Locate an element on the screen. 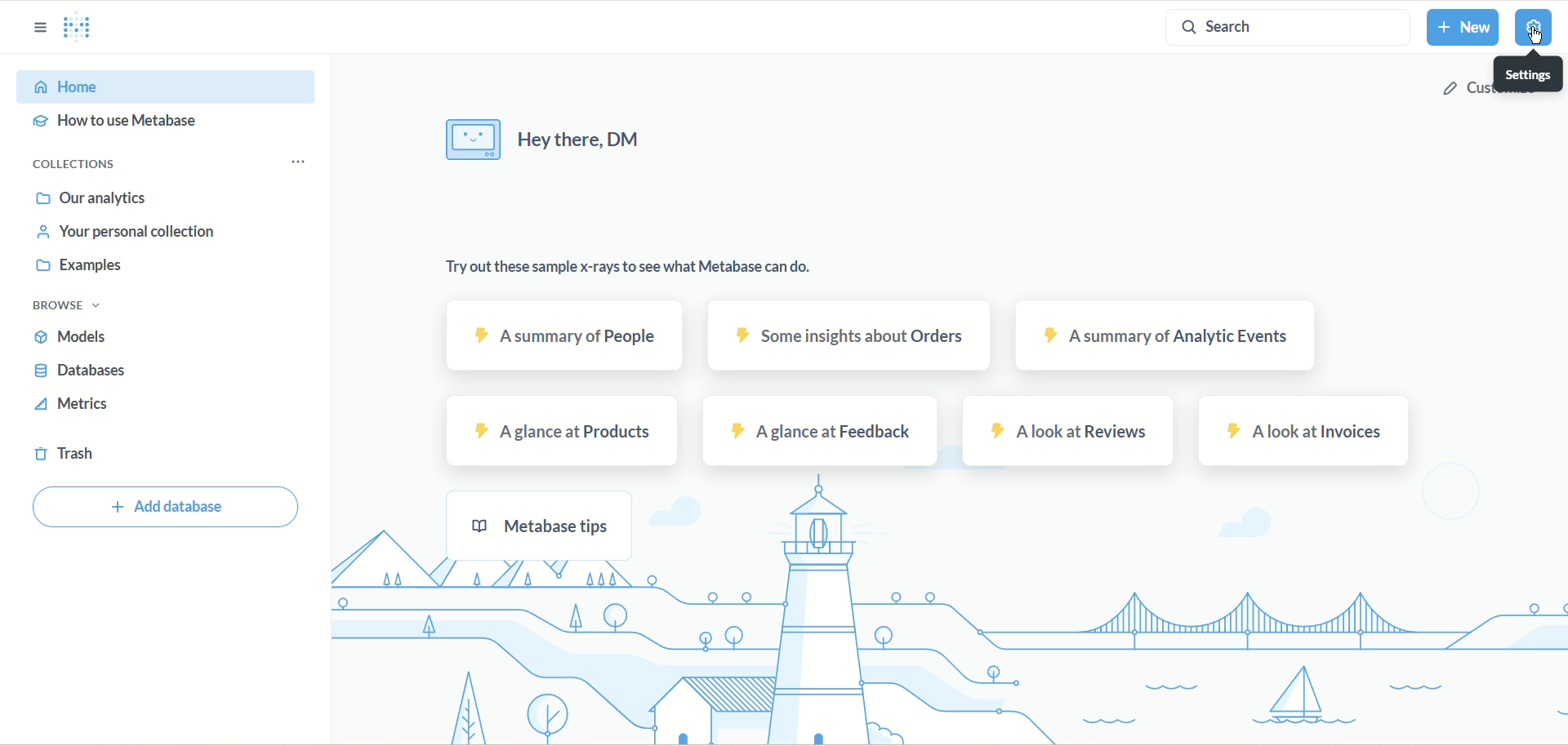 The width and height of the screenshot is (1568, 746). Home is located at coordinates (145, 88).